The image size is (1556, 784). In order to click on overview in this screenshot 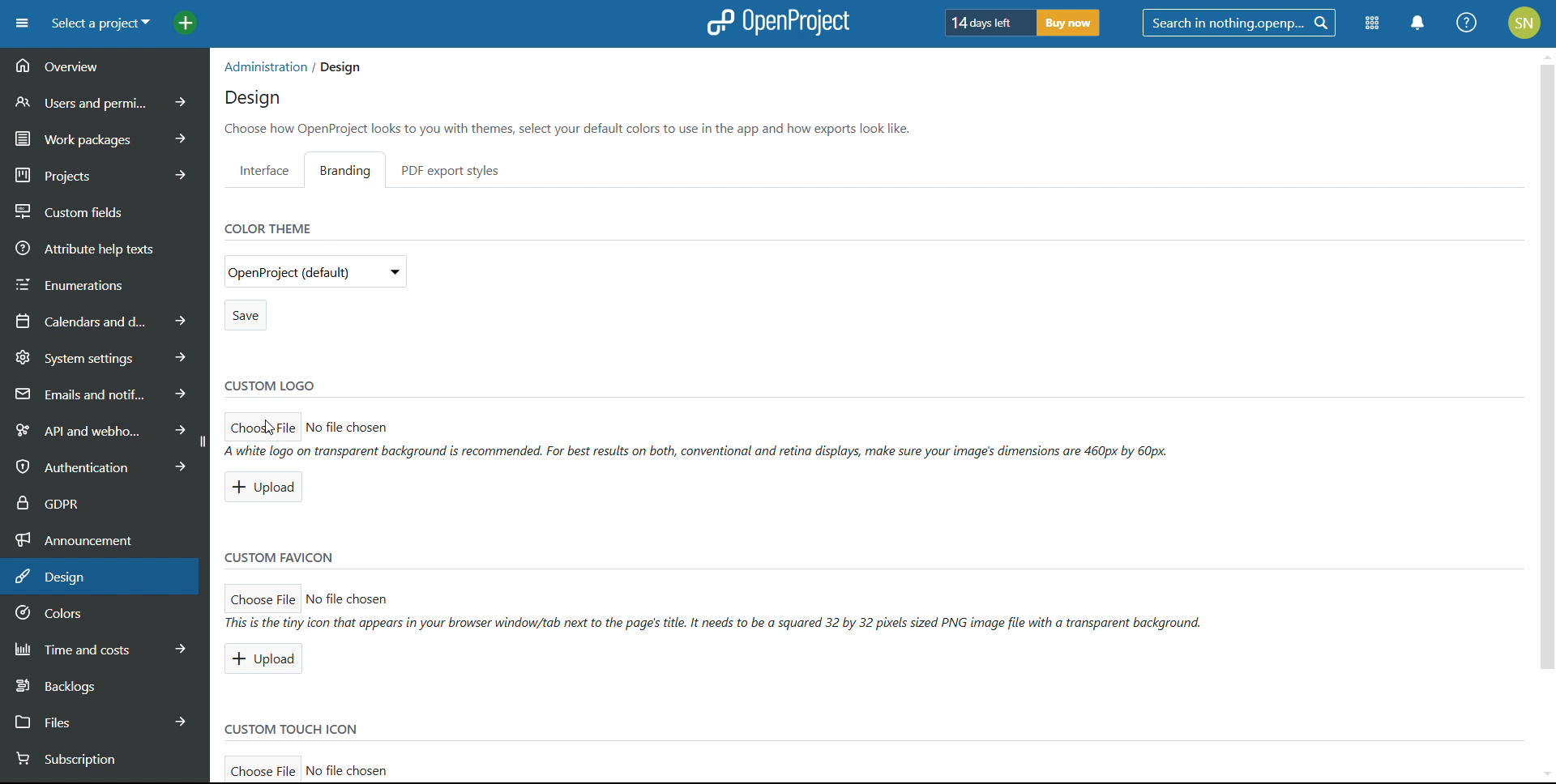, I will do `click(104, 66)`.